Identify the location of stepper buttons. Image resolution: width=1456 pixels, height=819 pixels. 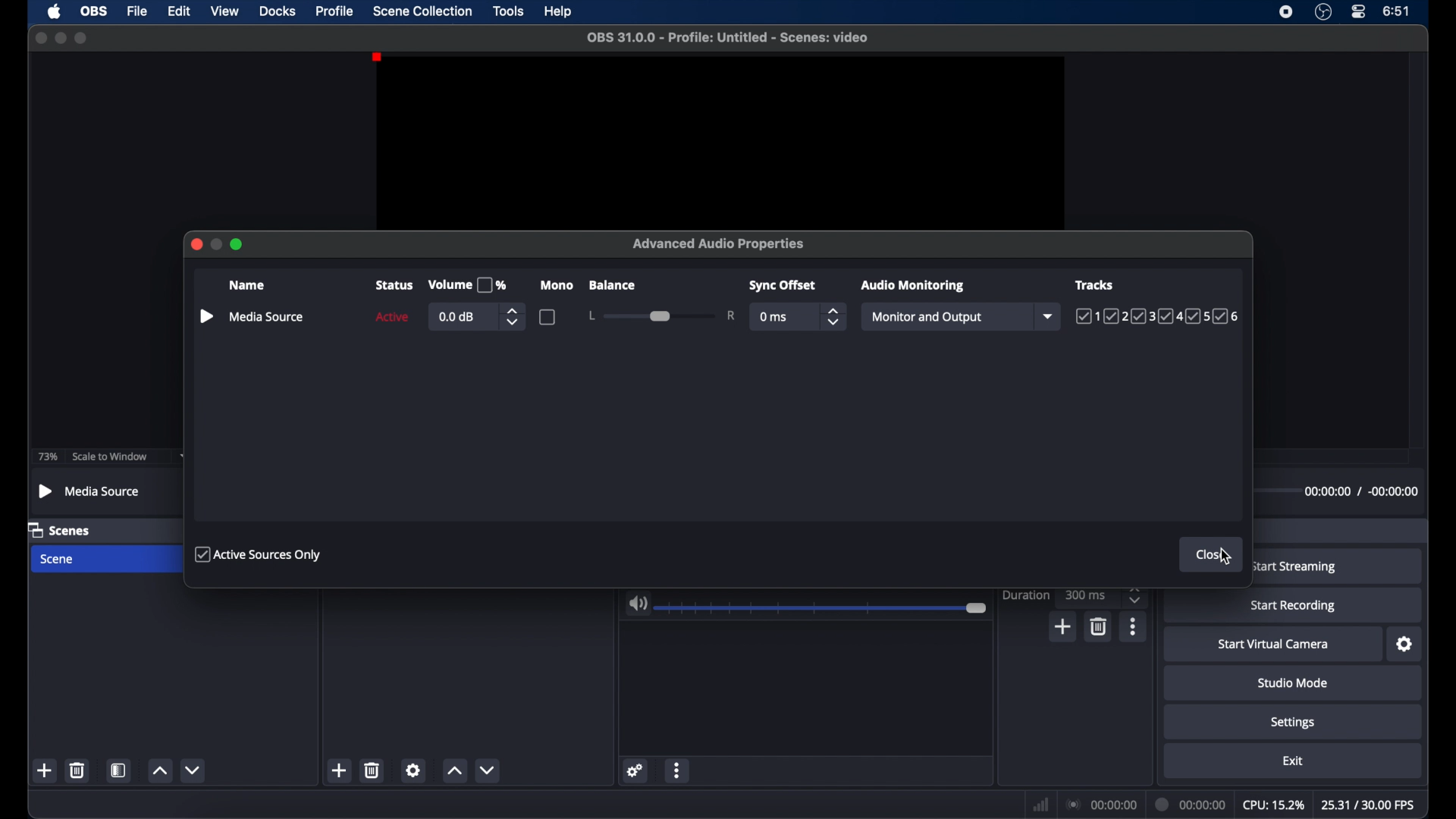
(834, 317).